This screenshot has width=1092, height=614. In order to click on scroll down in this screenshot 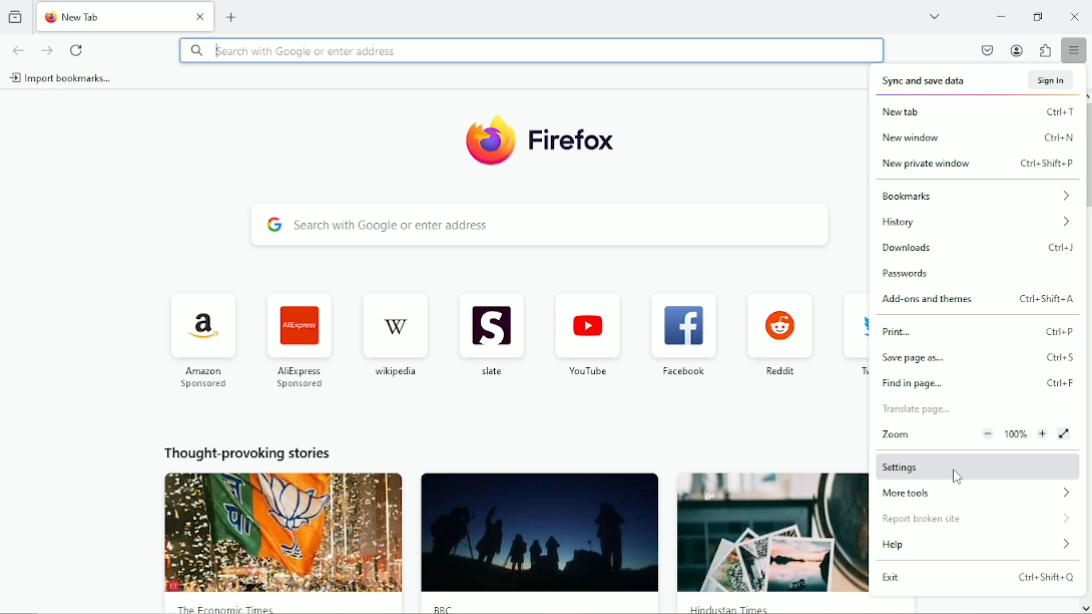, I will do `click(1085, 608)`.